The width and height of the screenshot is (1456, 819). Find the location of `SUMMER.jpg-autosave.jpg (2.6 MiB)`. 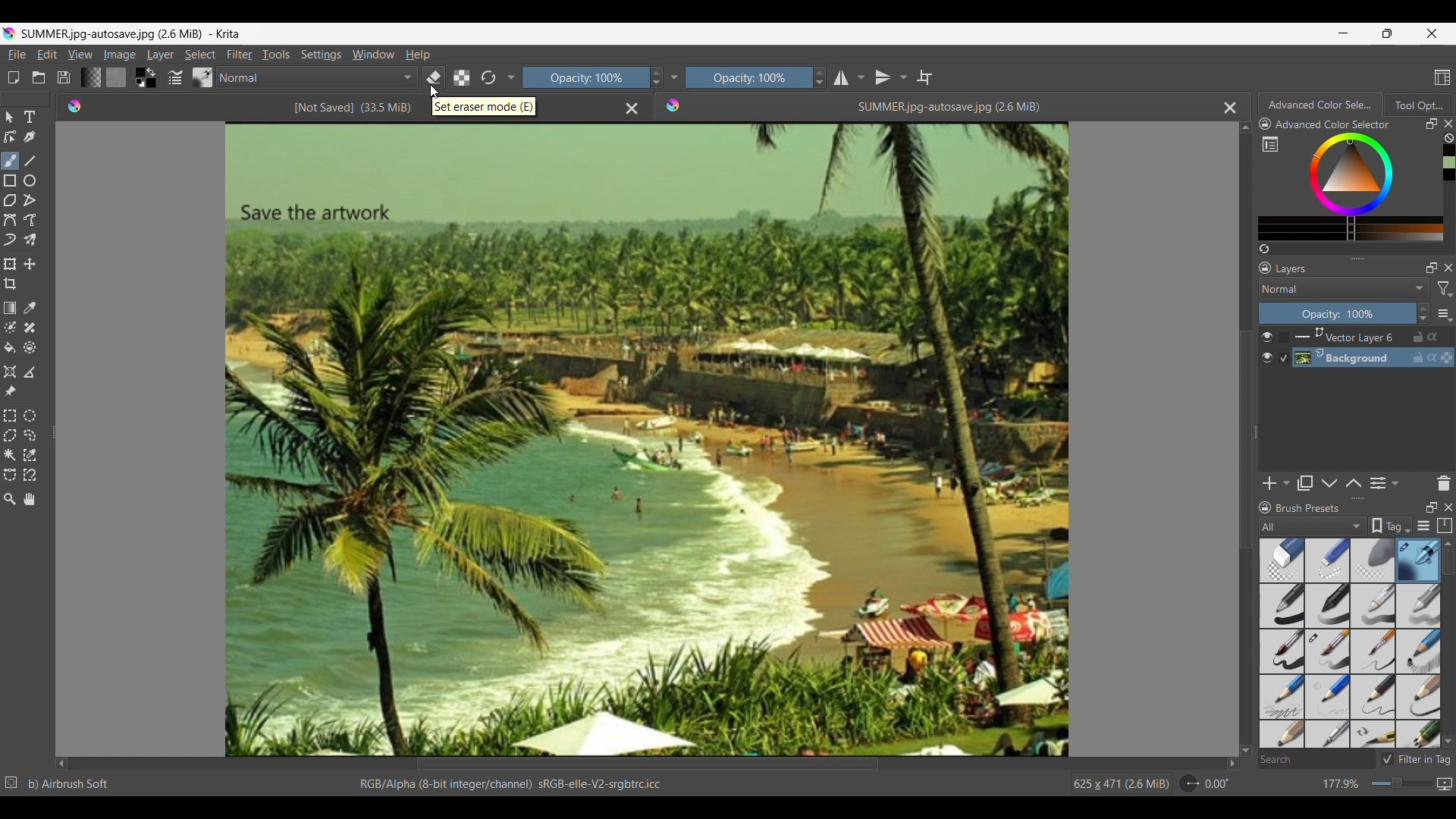

SUMMER.jpg-autosave.jpg (2.6 MiB) is located at coordinates (948, 107).